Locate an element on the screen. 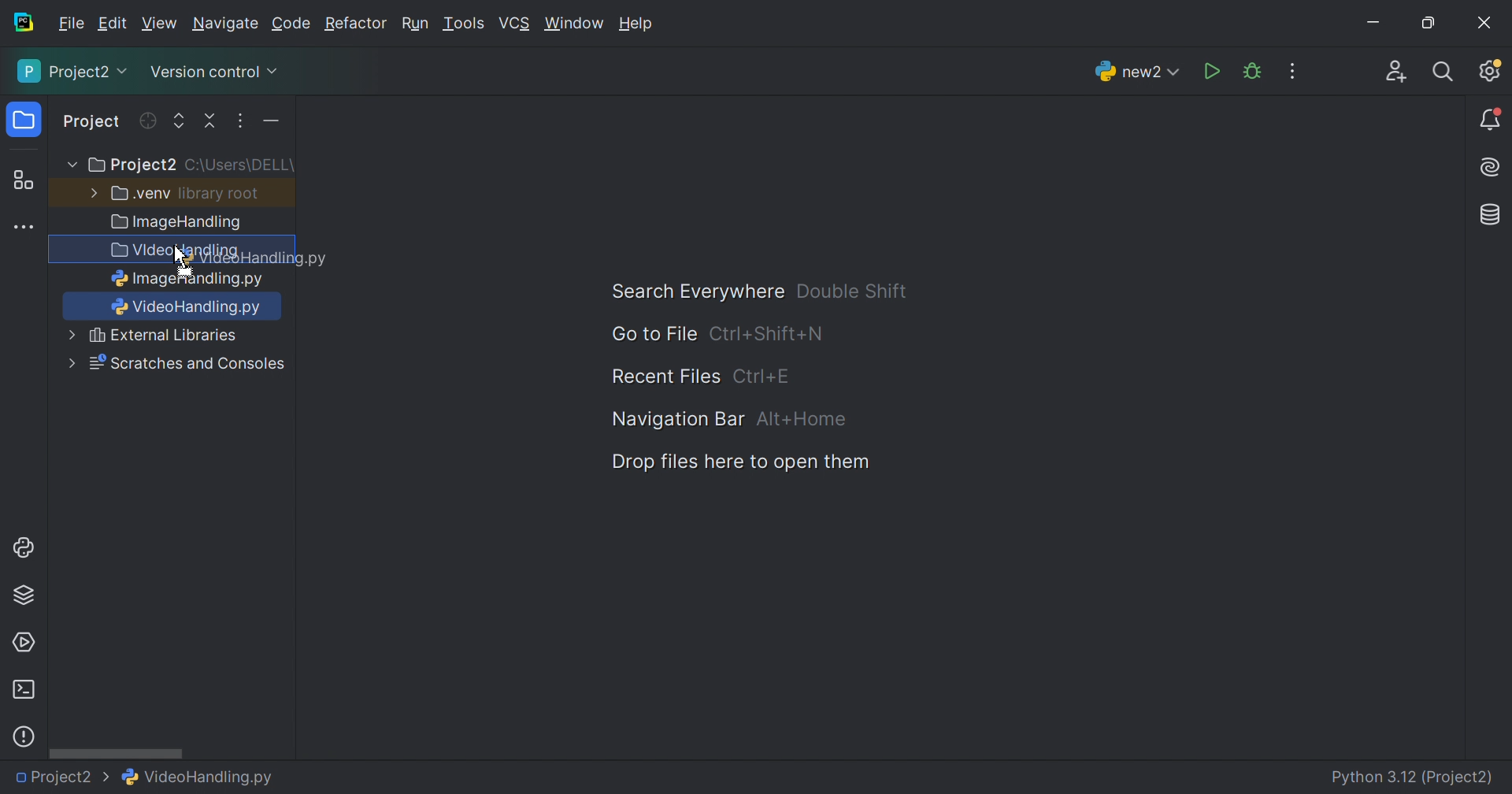 The image size is (1512, 794). Refresh is located at coordinates (146, 121).